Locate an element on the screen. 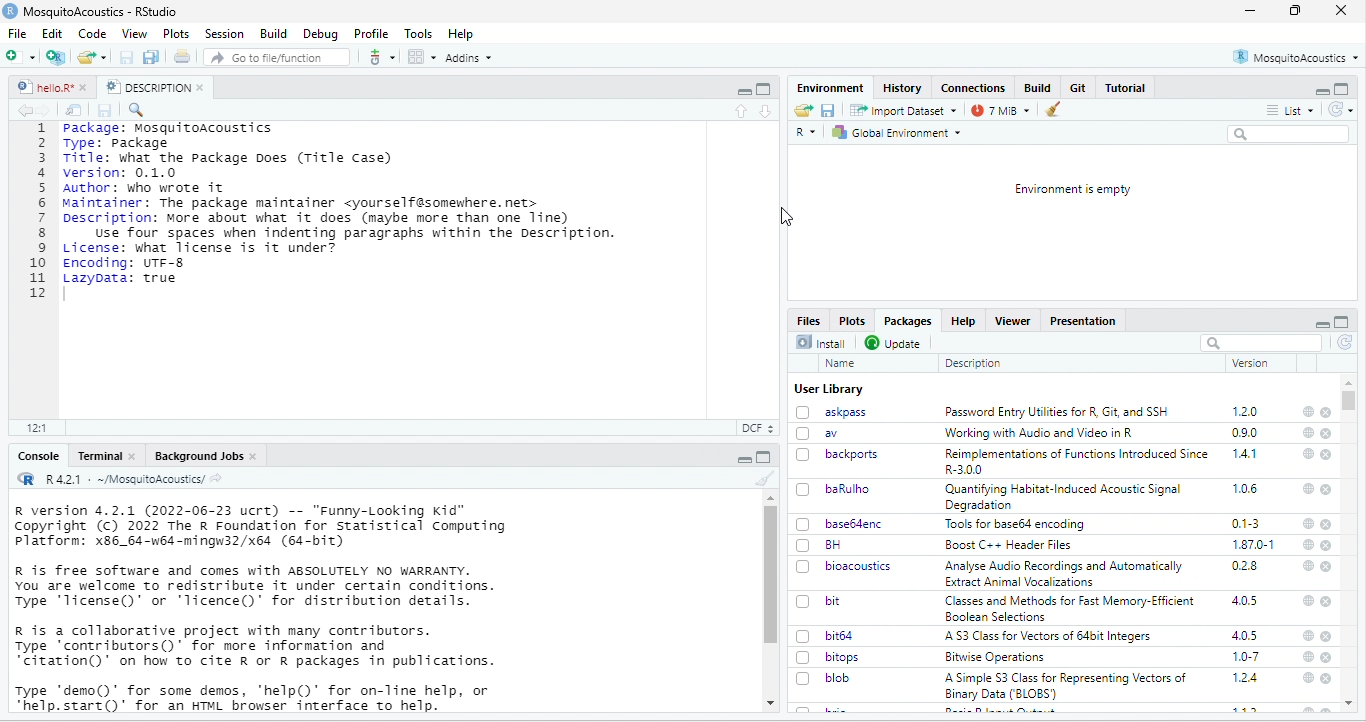 This screenshot has width=1366, height=722. Build is located at coordinates (271, 33).